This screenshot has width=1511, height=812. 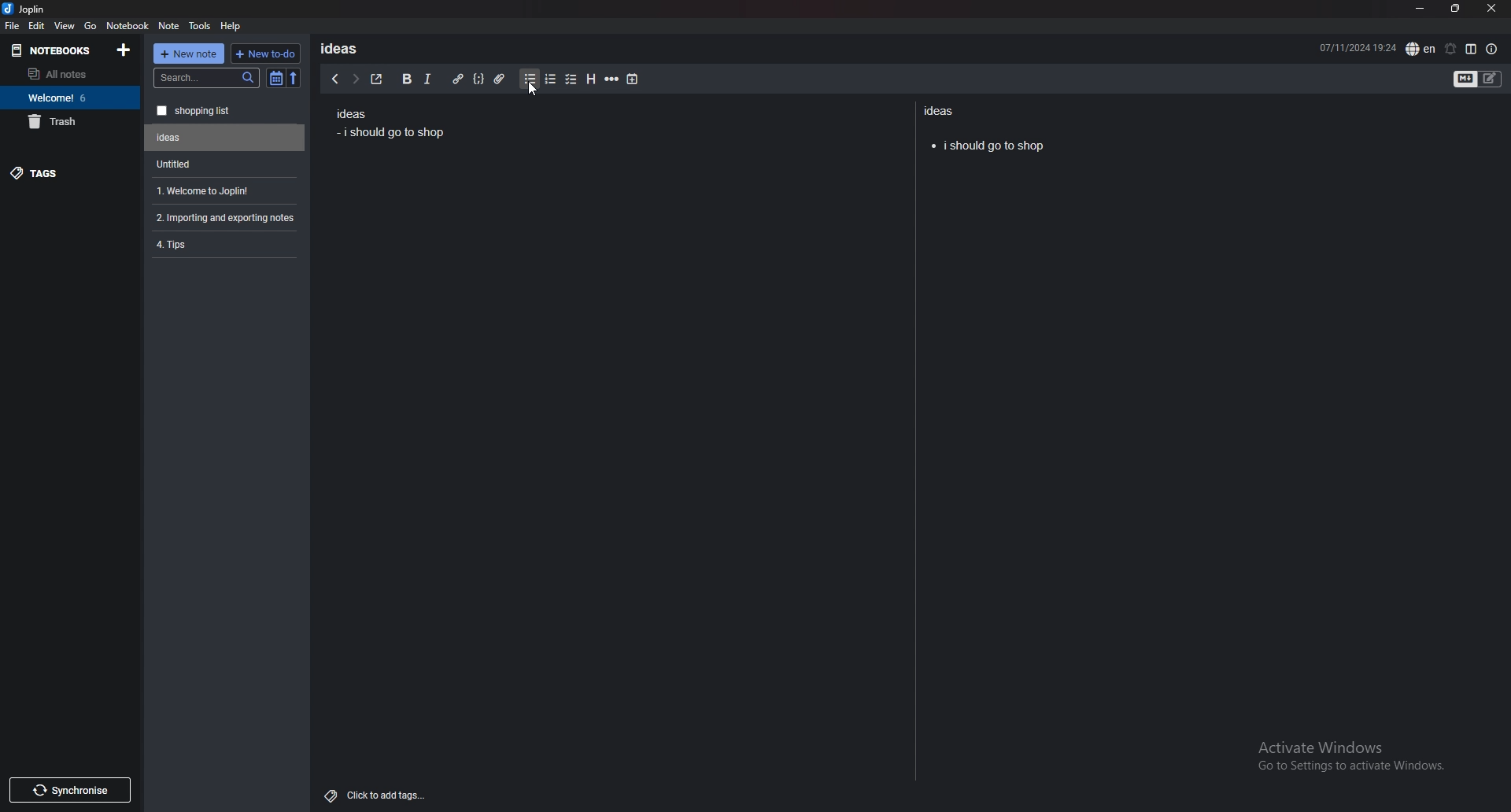 I want to click on Untitled, so click(x=221, y=164).